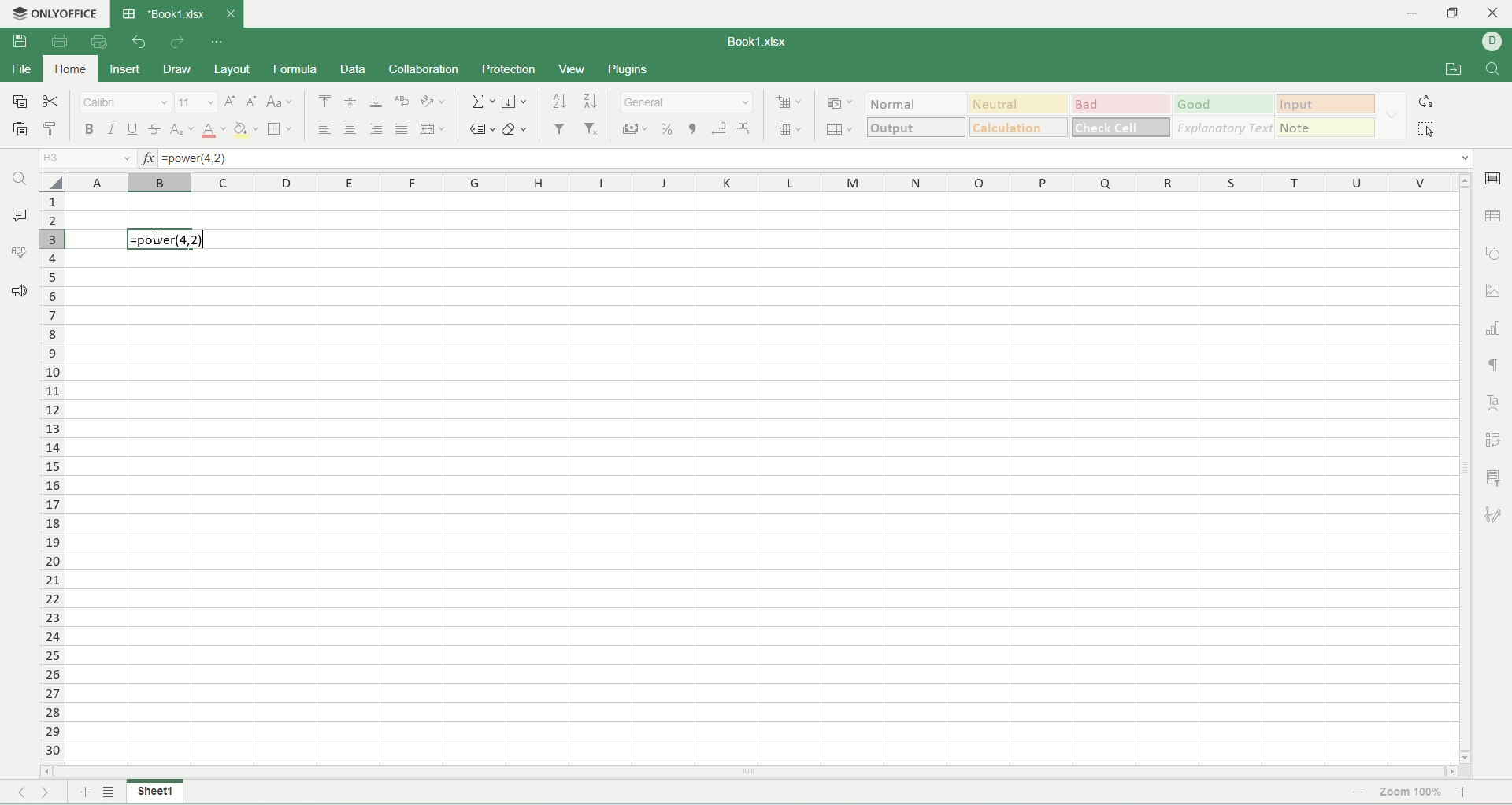 The width and height of the screenshot is (1512, 805). Describe the element at coordinates (560, 128) in the screenshot. I see `filter` at that location.